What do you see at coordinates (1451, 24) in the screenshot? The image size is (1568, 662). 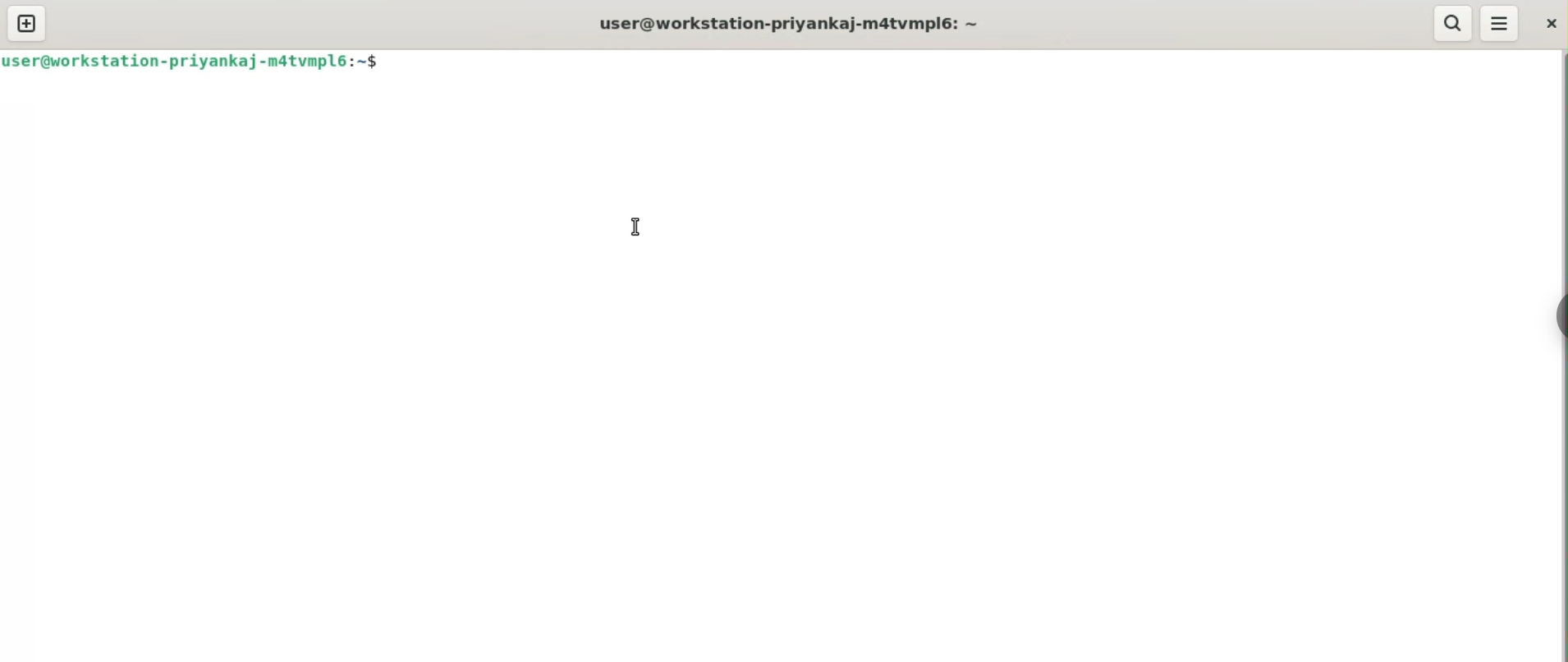 I see `search` at bounding box center [1451, 24].